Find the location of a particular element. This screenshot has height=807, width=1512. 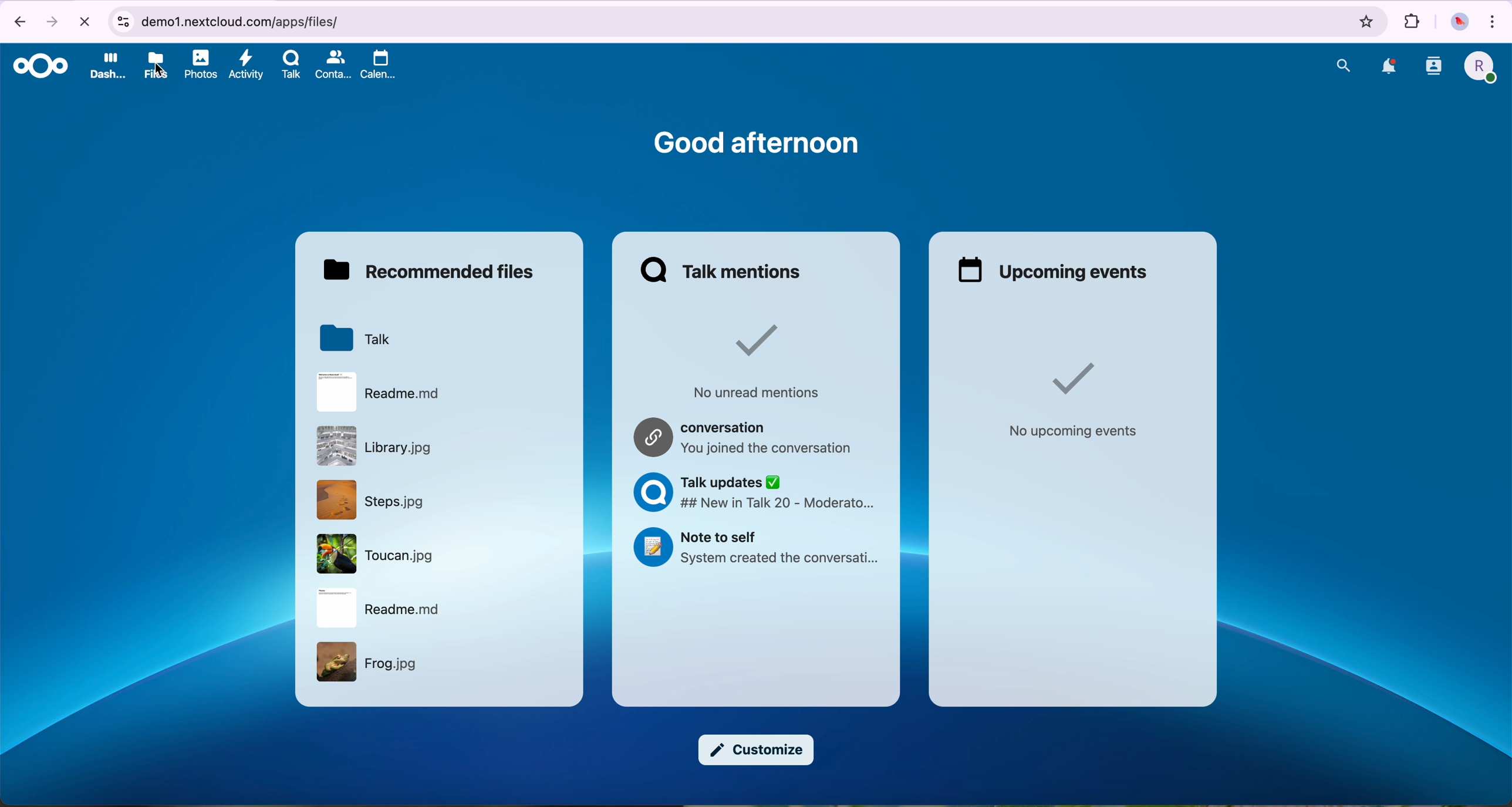

recommended files is located at coordinates (434, 272).